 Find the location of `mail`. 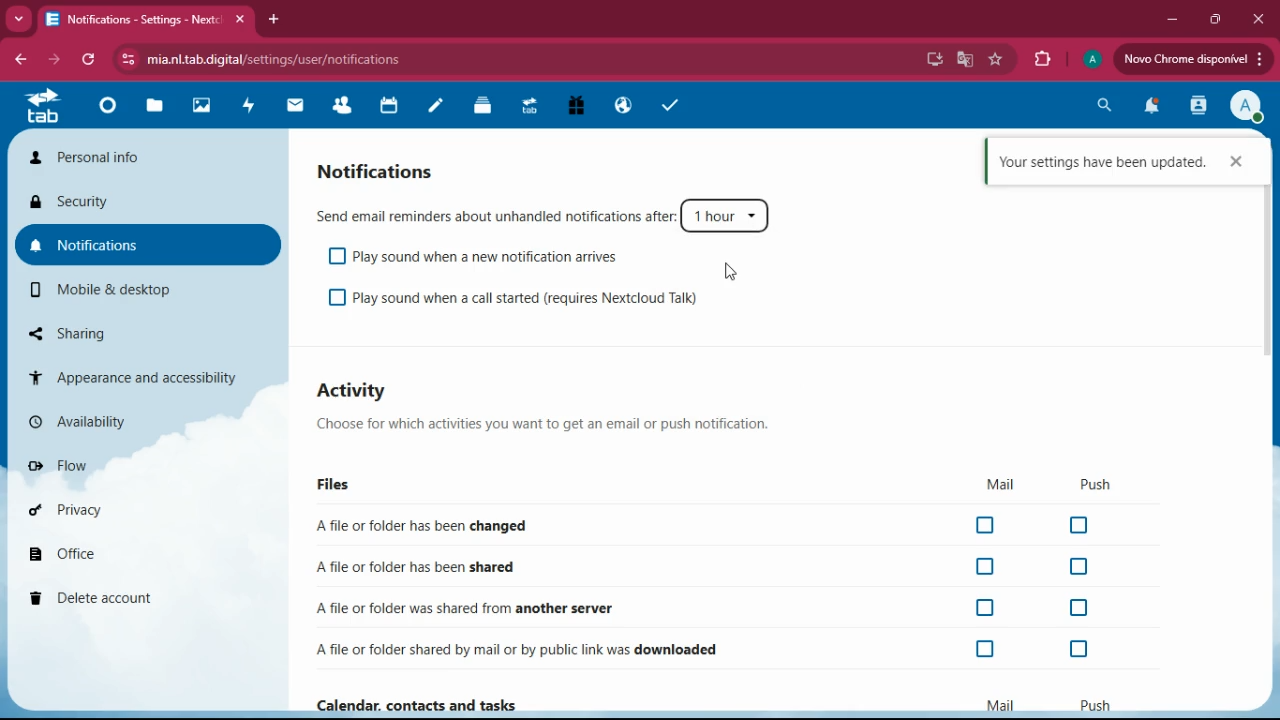

mail is located at coordinates (992, 485).